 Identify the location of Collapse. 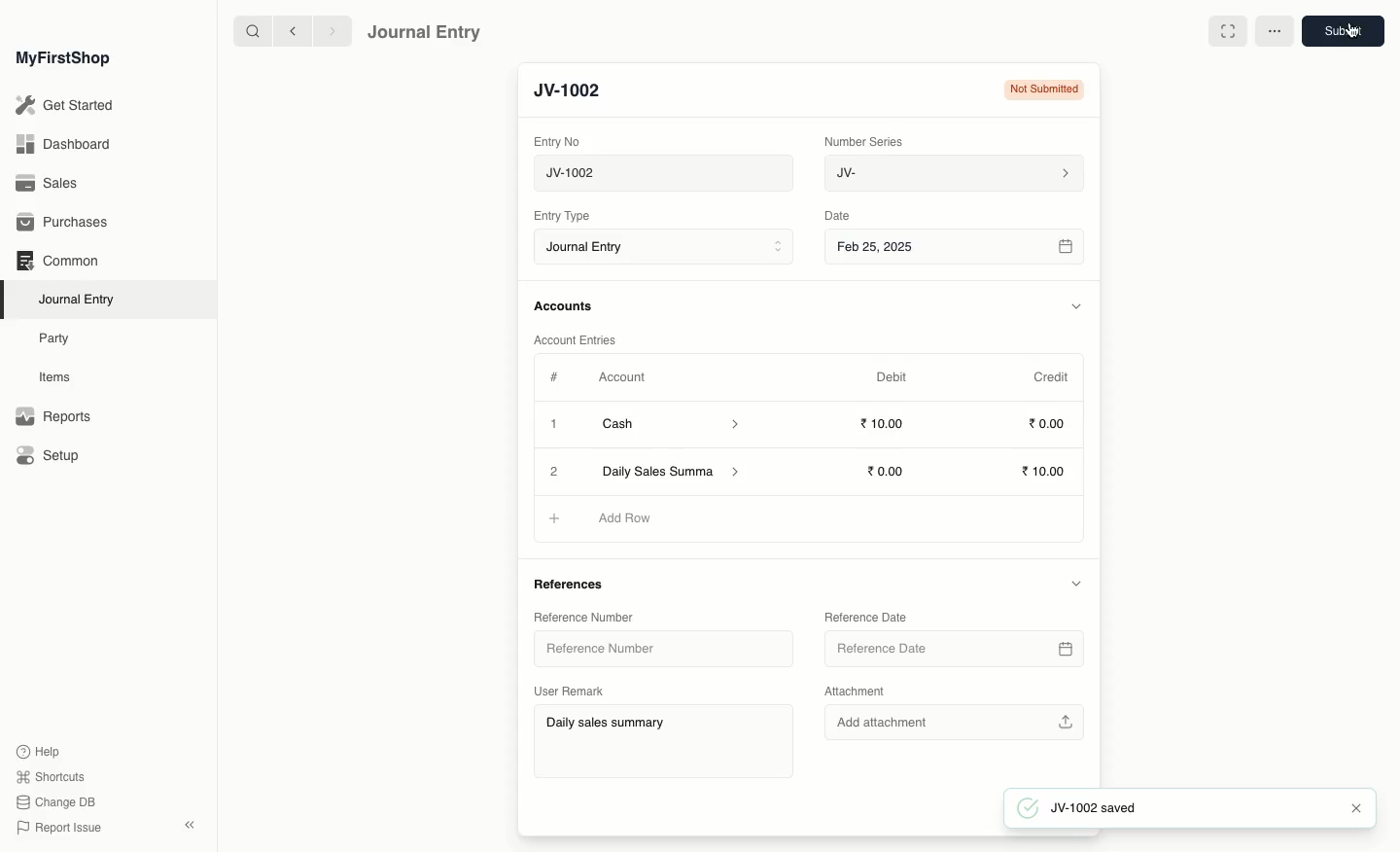
(190, 825).